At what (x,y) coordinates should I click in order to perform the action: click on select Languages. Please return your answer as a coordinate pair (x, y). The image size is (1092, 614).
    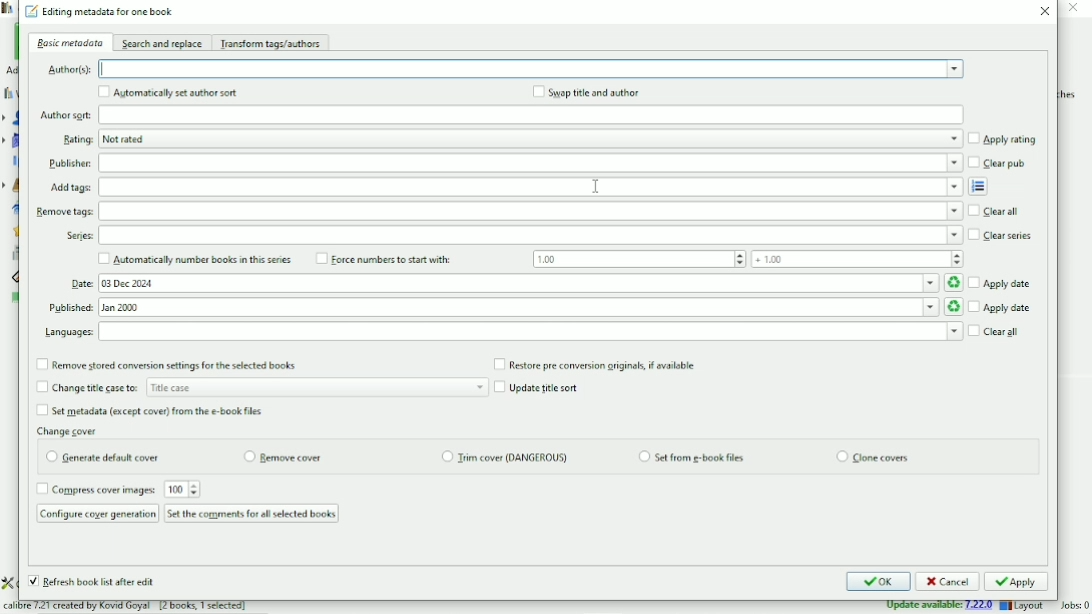
    Looking at the image, I should click on (529, 331).